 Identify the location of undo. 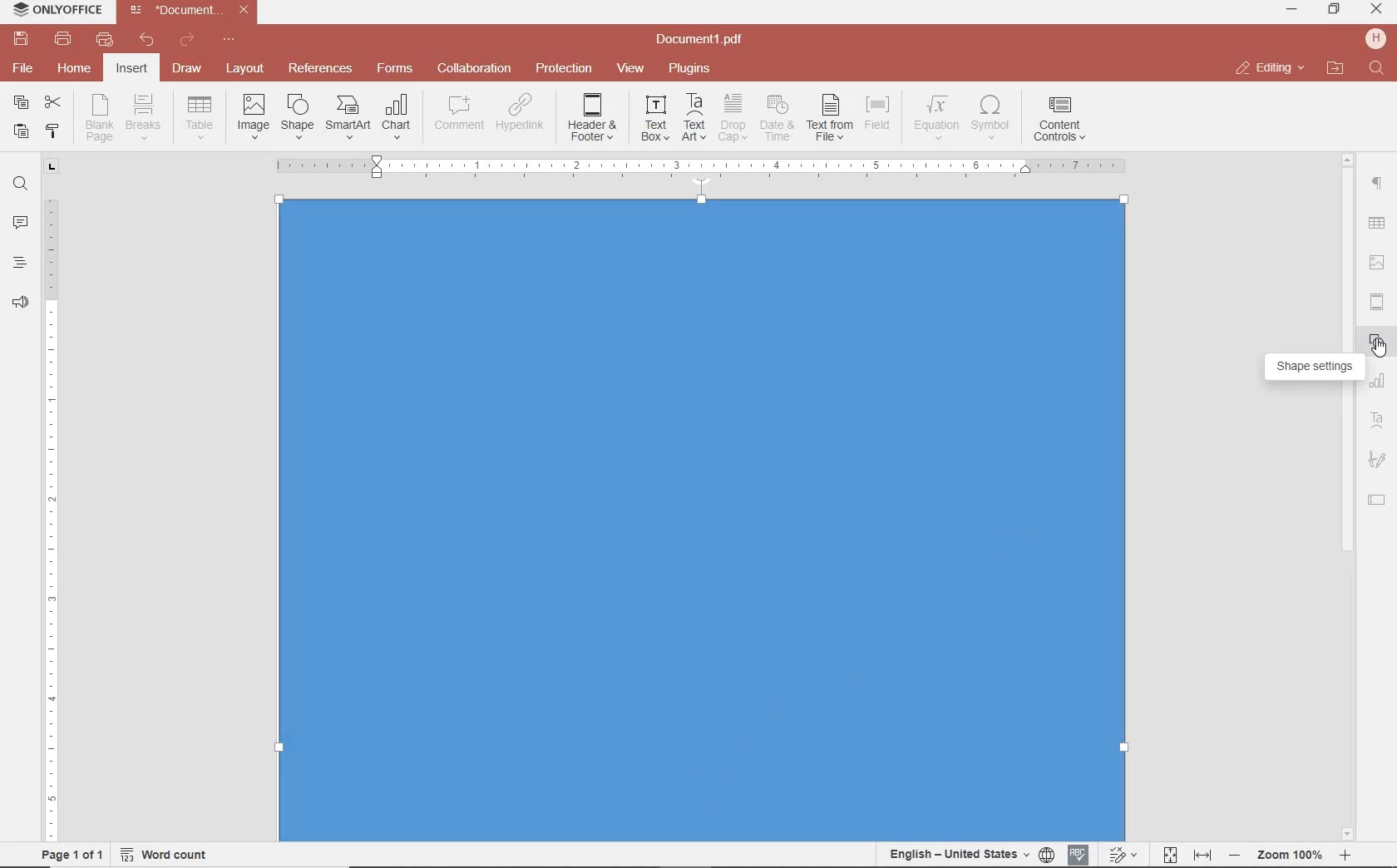
(147, 40).